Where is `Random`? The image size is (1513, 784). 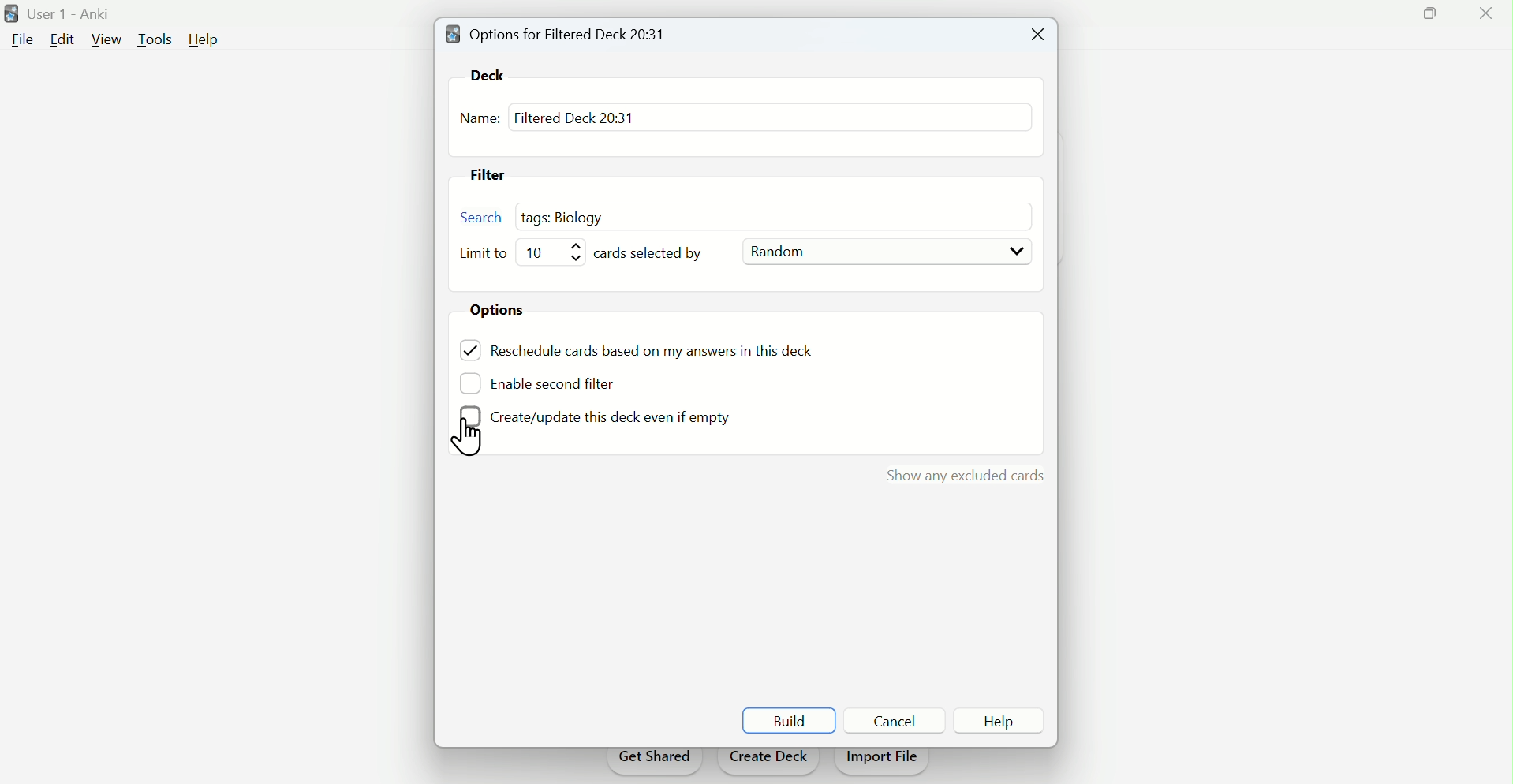
Random is located at coordinates (887, 252).